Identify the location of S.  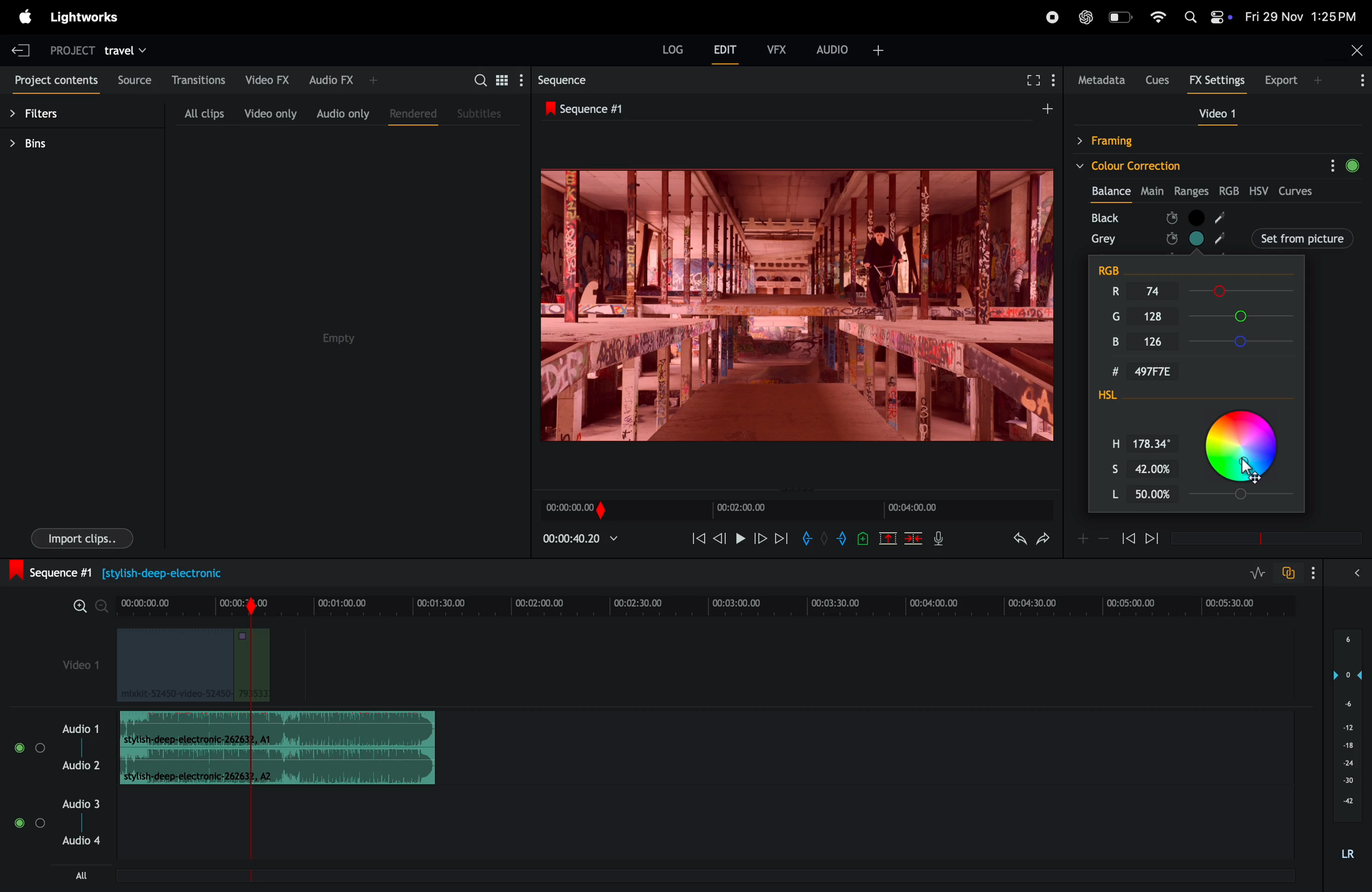
(1106, 467).